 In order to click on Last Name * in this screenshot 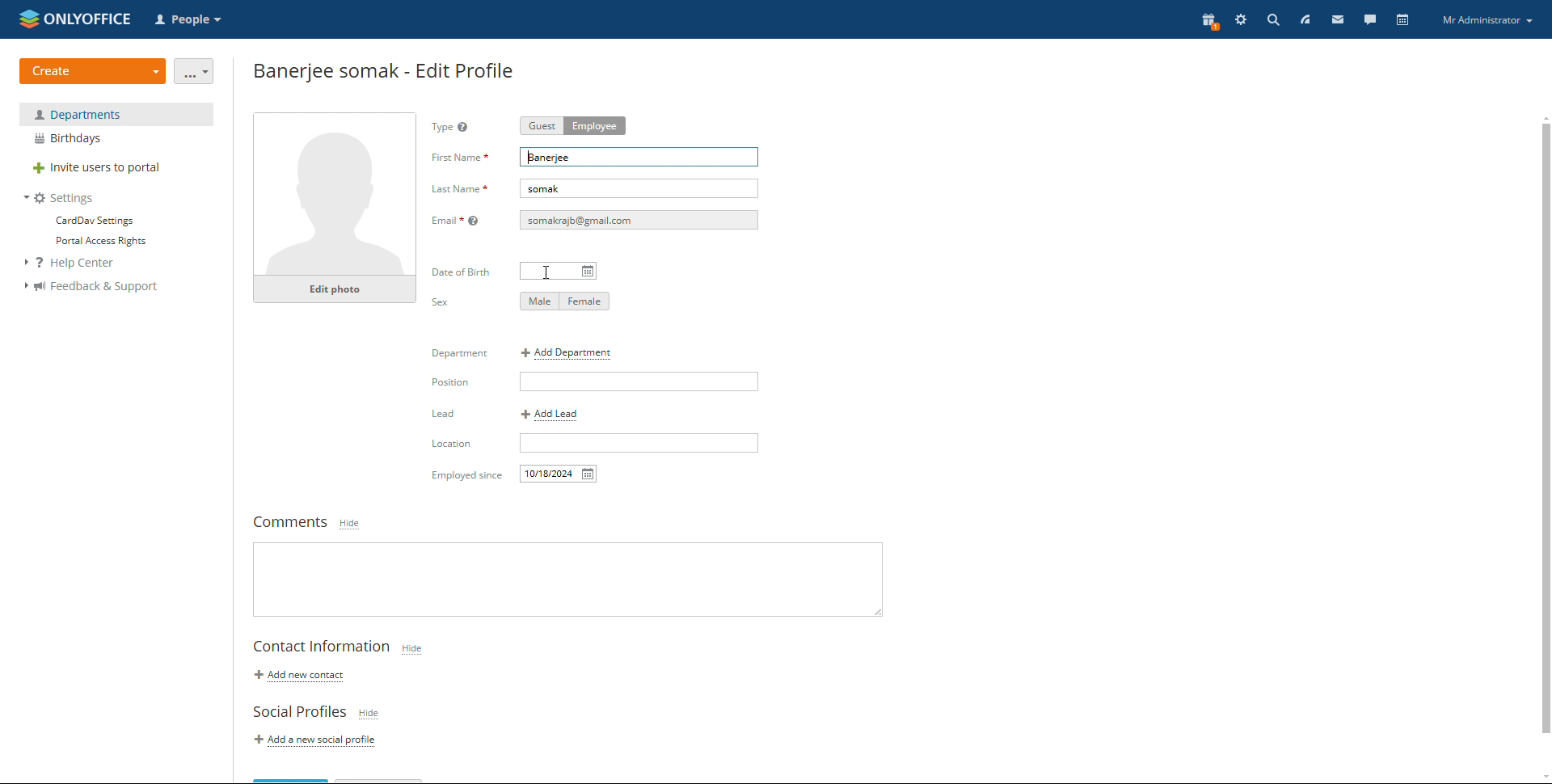, I will do `click(459, 191)`.